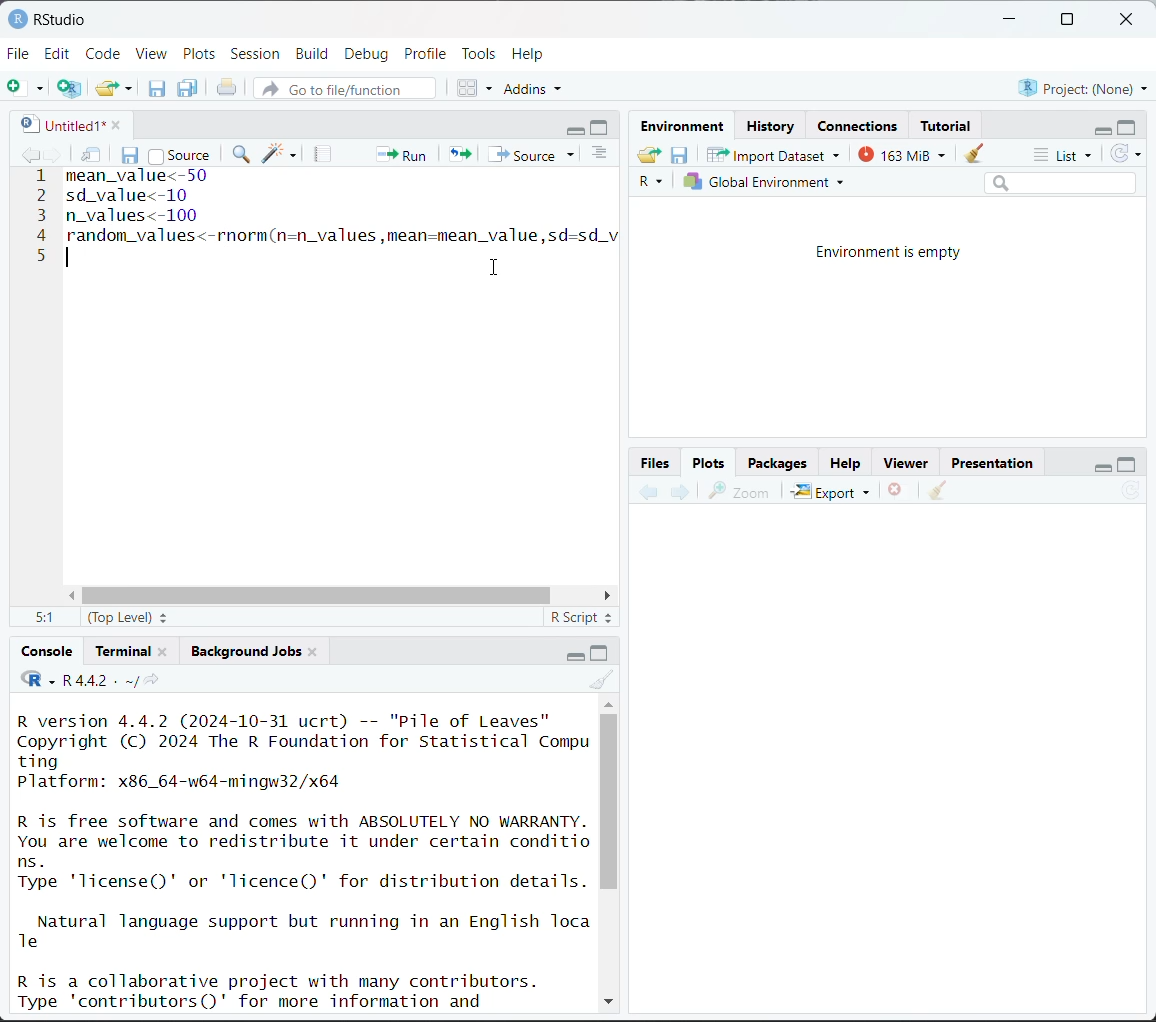 Image resolution: width=1156 pixels, height=1022 pixels. What do you see at coordinates (366, 54) in the screenshot?
I see `Debug` at bounding box center [366, 54].